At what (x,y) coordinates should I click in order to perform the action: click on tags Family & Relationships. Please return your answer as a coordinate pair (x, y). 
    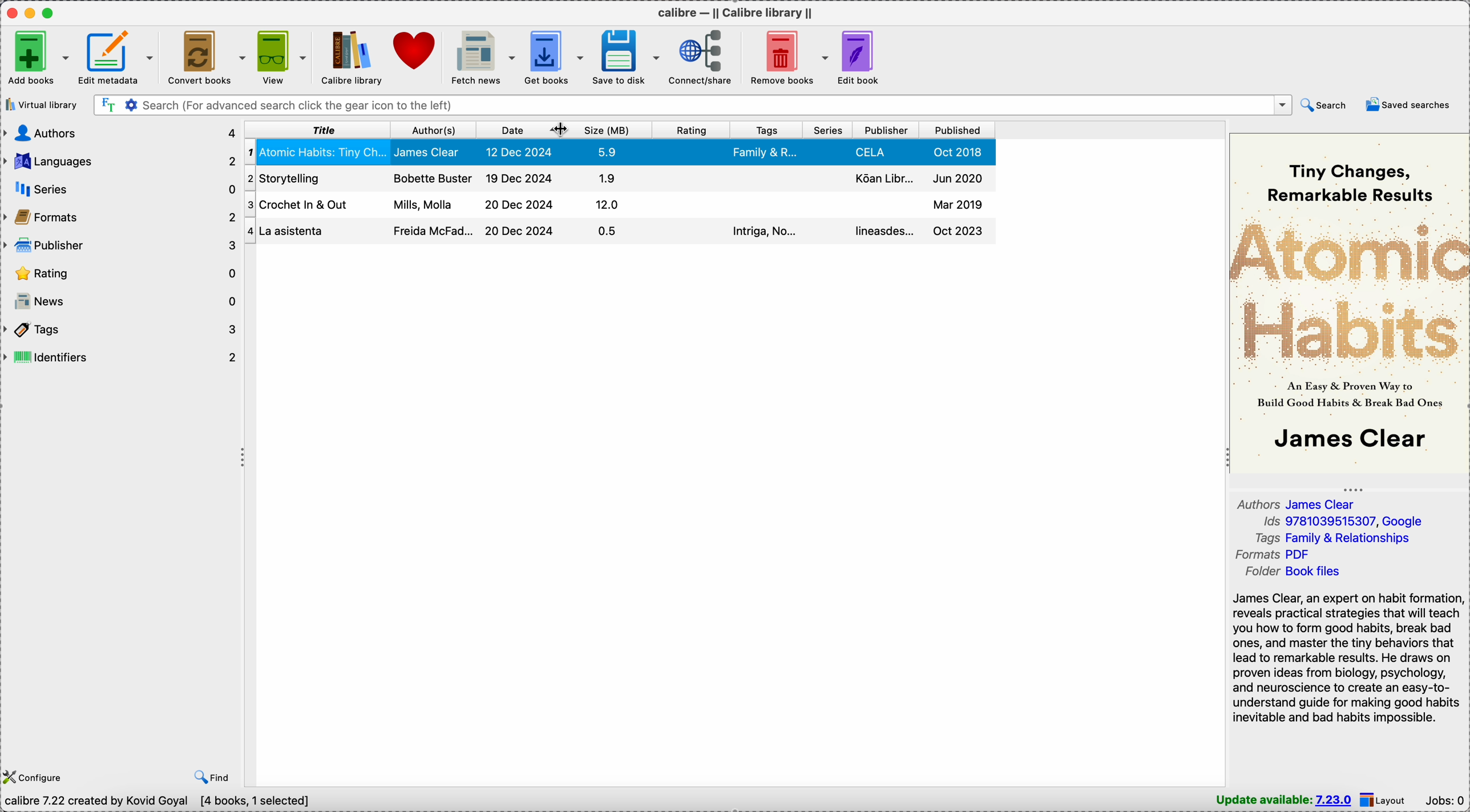
    Looking at the image, I should click on (1333, 538).